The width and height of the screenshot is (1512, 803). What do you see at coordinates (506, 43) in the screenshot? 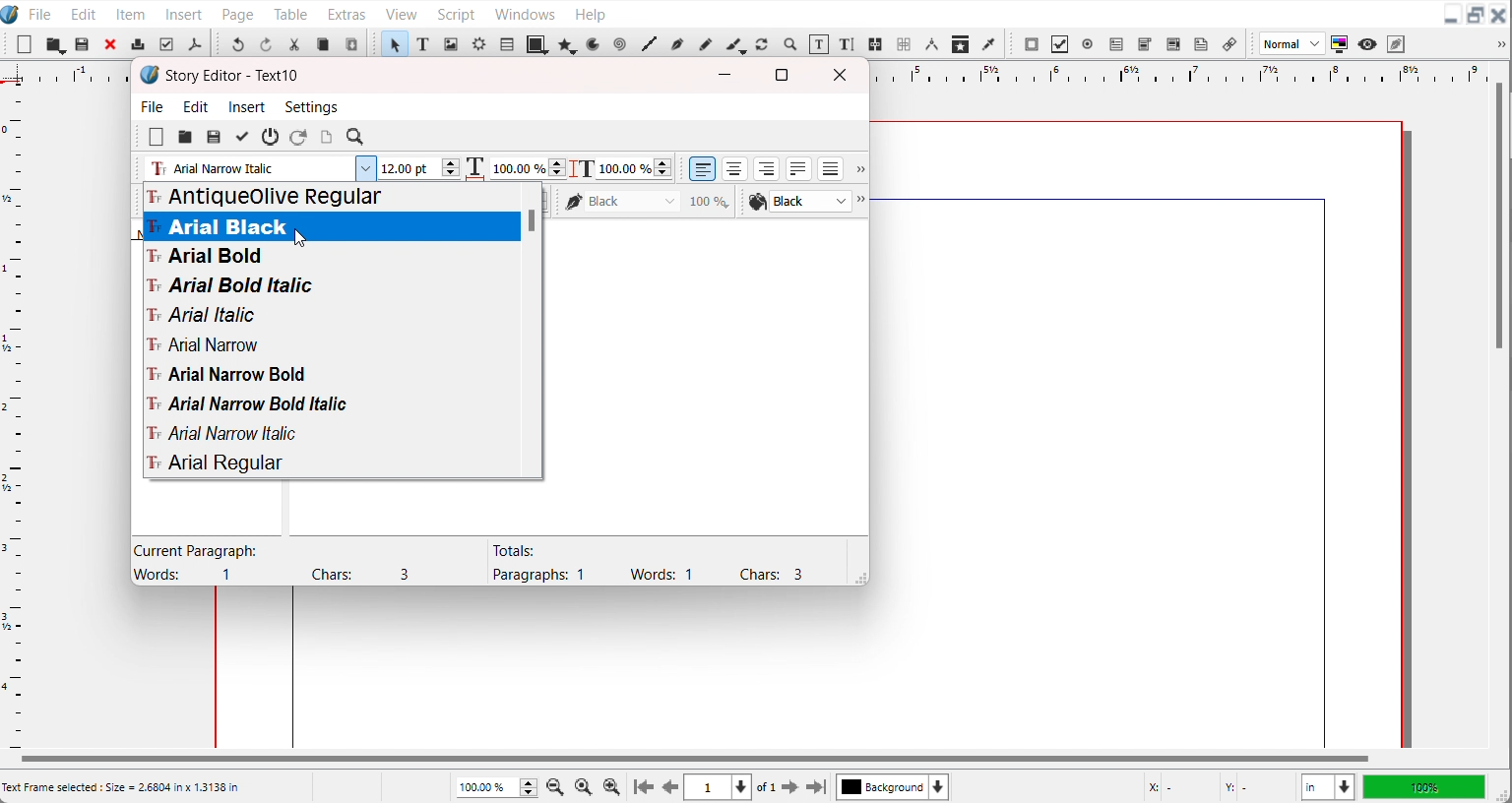
I see `Table` at bounding box center [506, 43].